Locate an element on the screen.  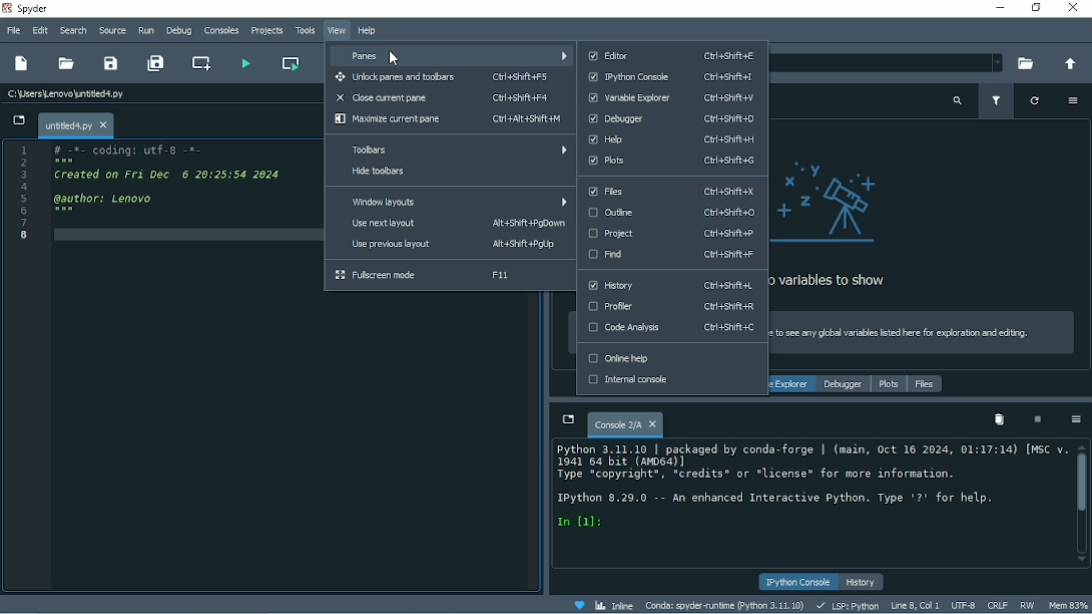
Files is located at coordinates (925, 384).